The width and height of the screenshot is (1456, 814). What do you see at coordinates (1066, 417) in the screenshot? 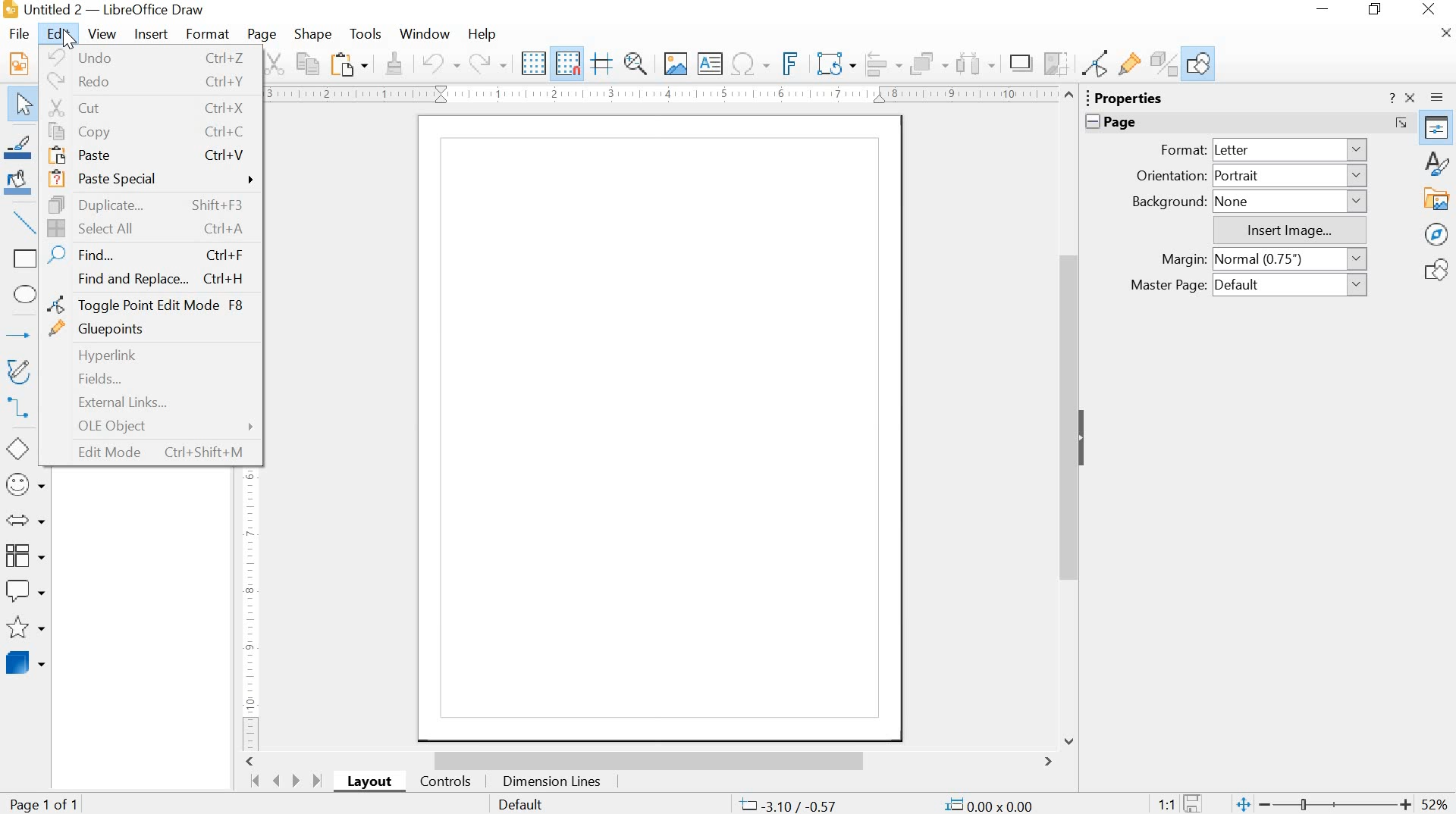
I see `Scroll Up or Down` at bounding box center [1066, 417].